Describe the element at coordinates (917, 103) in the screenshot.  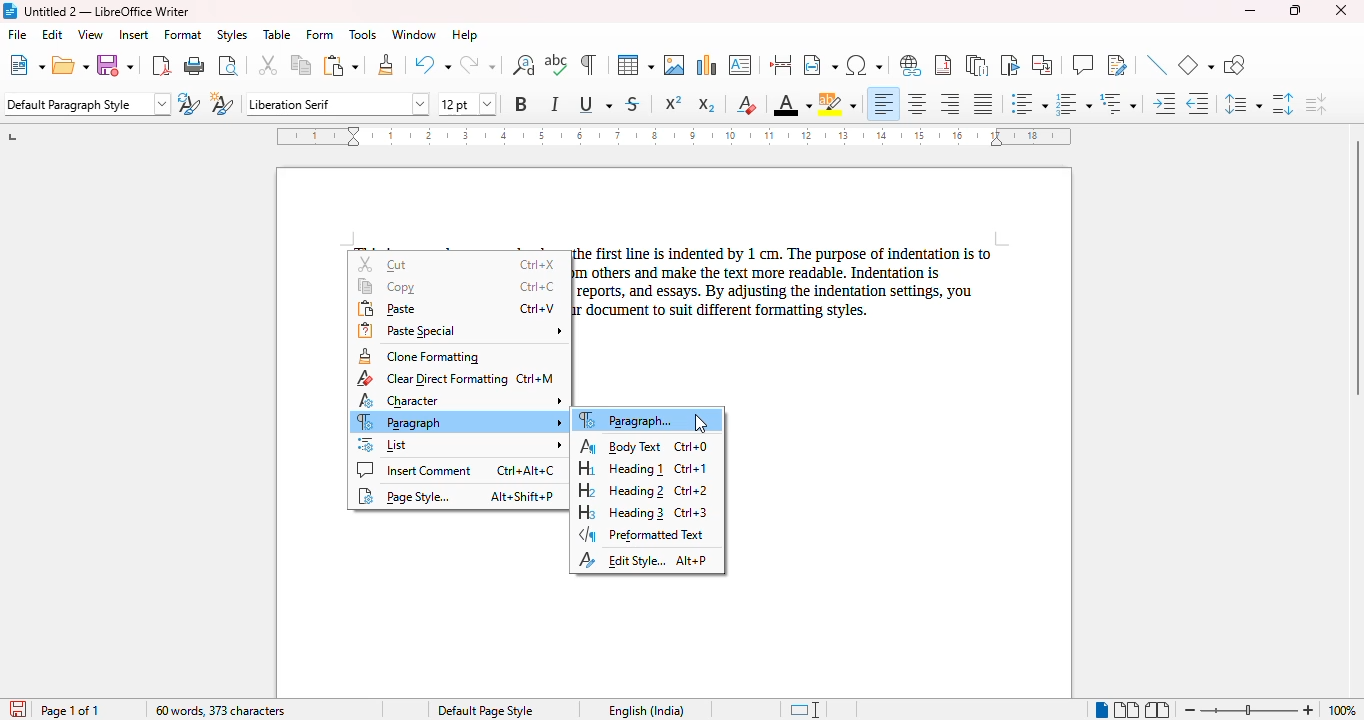
I see `align center` at that location.